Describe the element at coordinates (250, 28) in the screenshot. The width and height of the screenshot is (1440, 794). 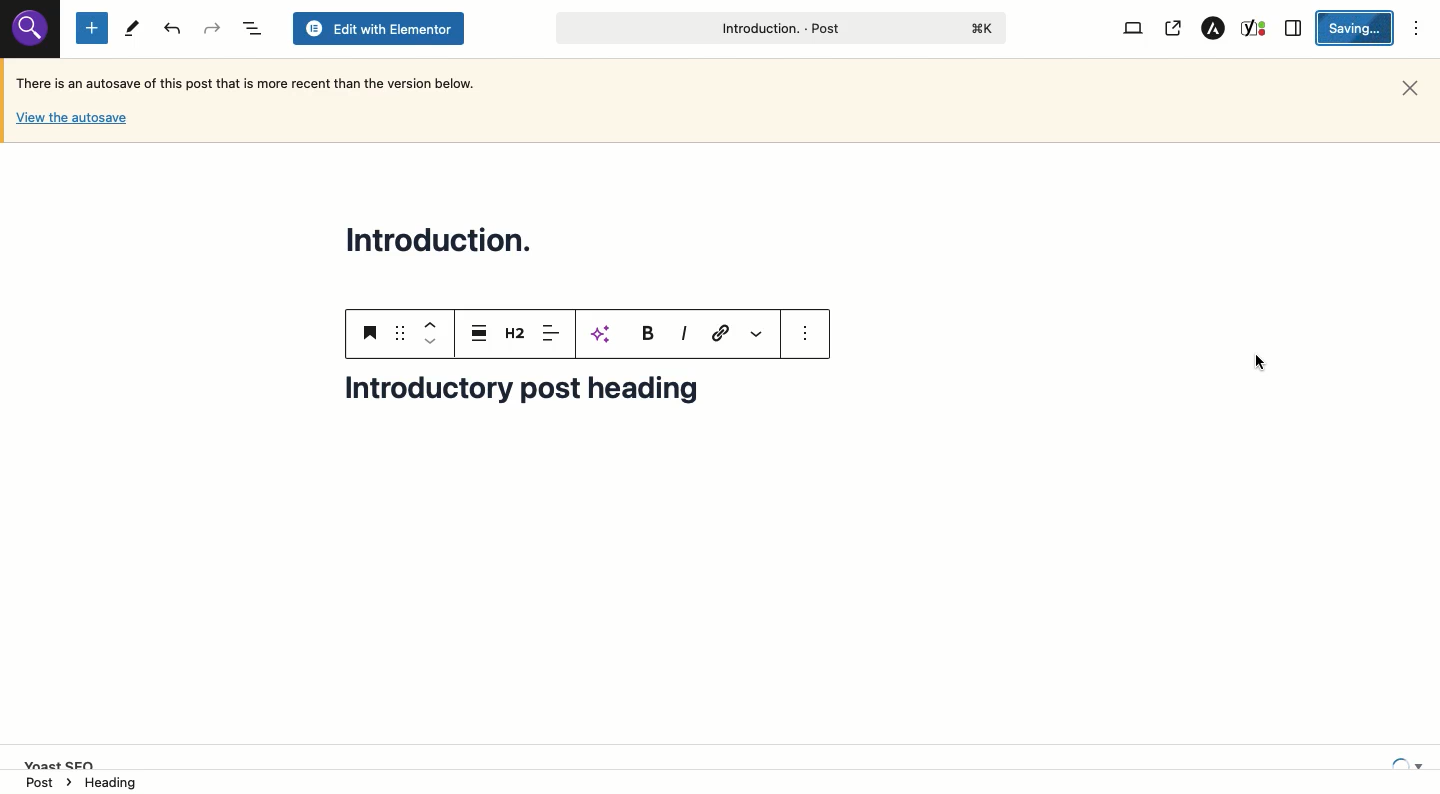
I see `Document overview` at that location.